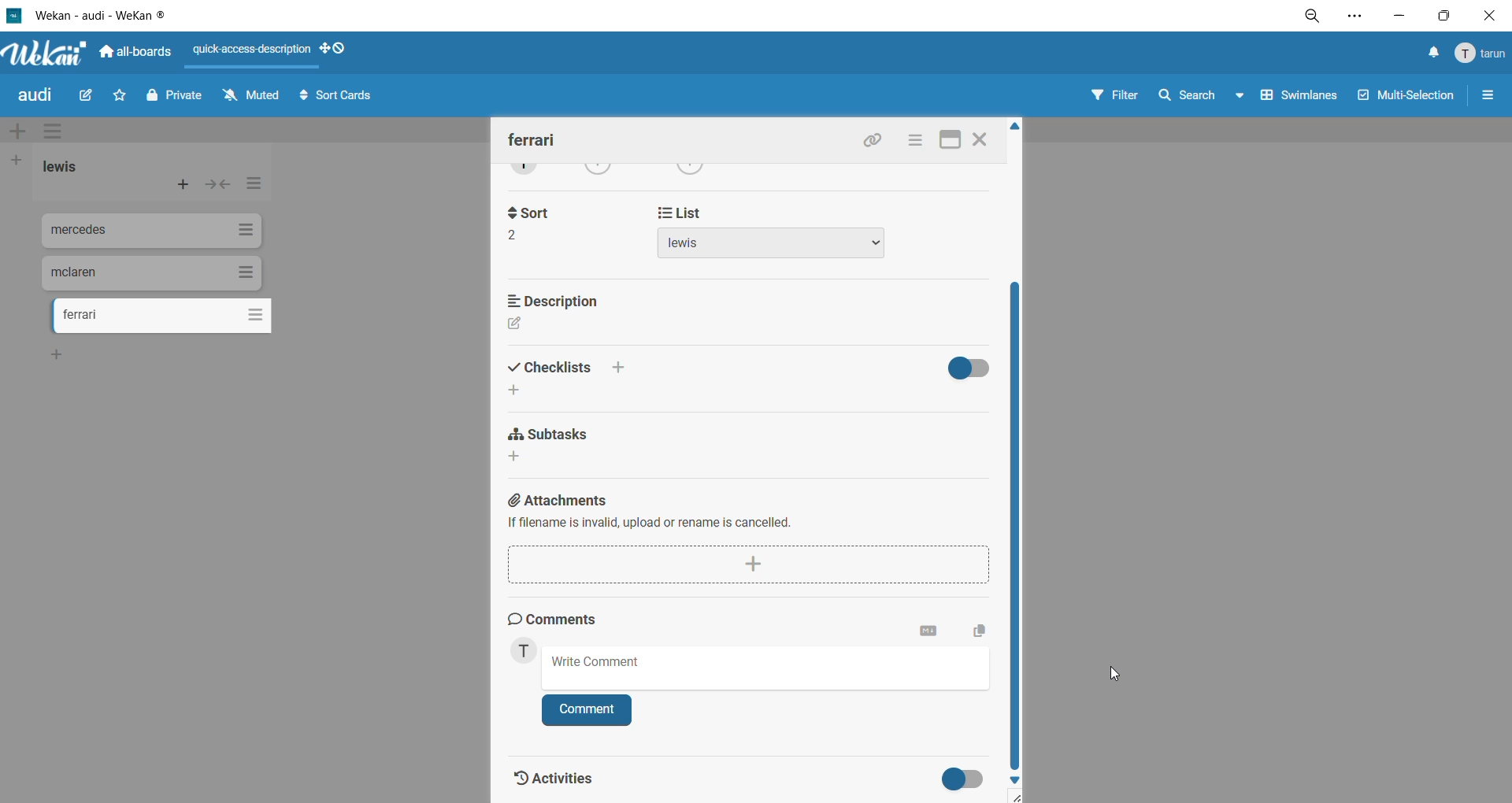 The height and width of the screenshot is (803, 1512). Describe the element at coordinates (950, 141) in the screenshot. I see `maximize` at that location.